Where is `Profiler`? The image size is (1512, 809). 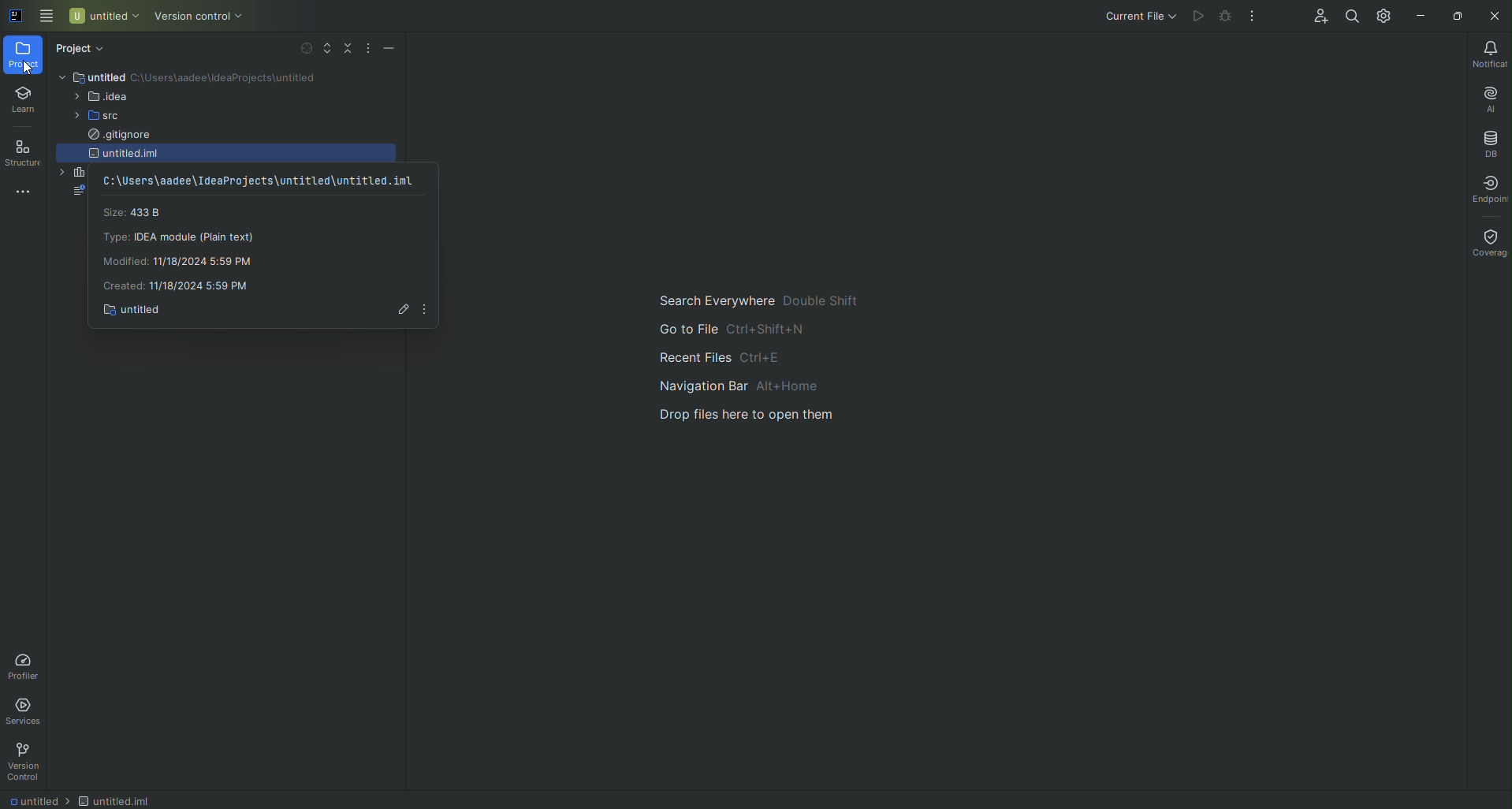
Profiler is located at coordinates (32, 665).